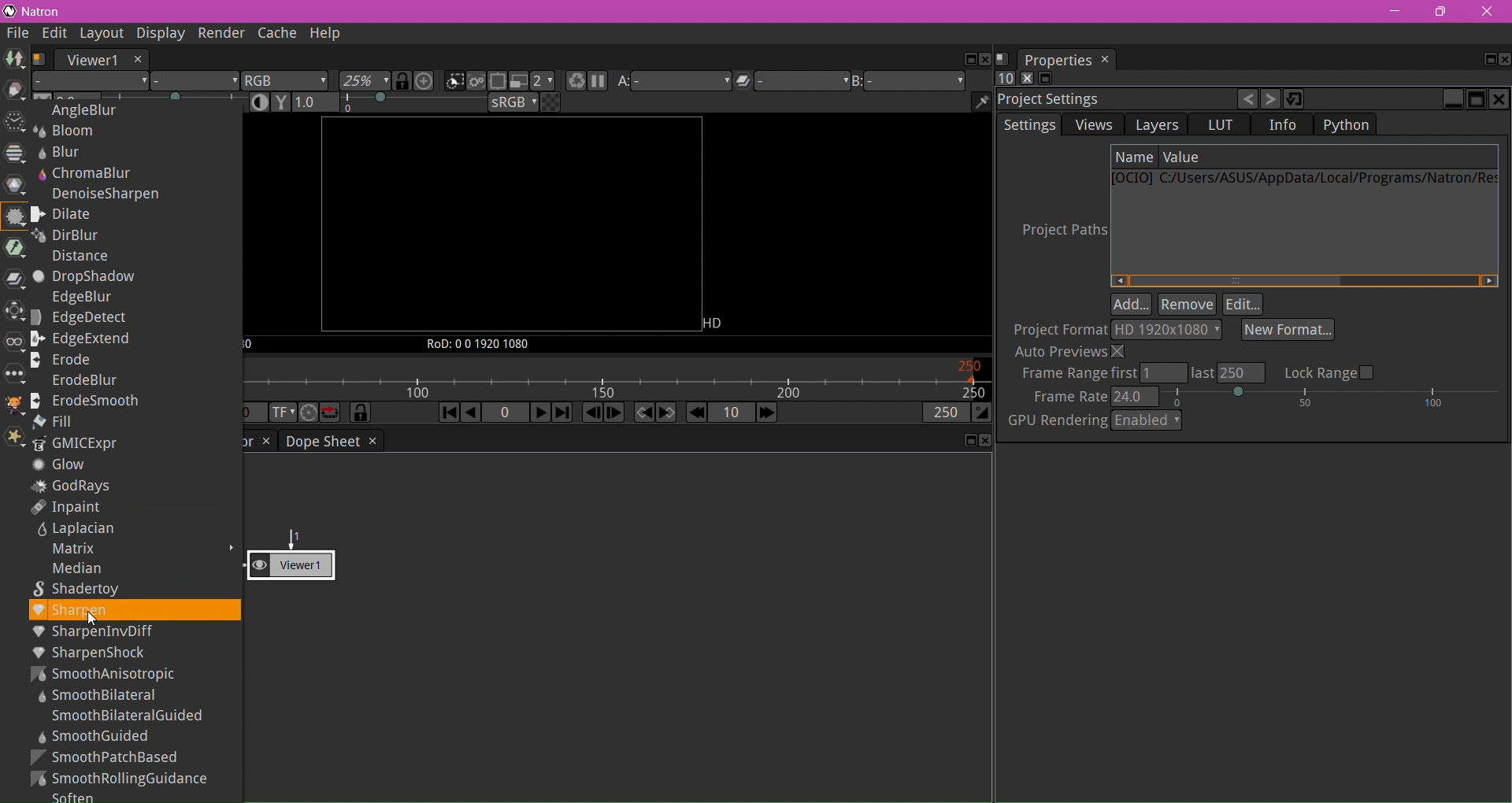  What do you see at coordinates (321, 441) in the screenshot?
I see `Dope Sheet` at bounding box center [321, 441].